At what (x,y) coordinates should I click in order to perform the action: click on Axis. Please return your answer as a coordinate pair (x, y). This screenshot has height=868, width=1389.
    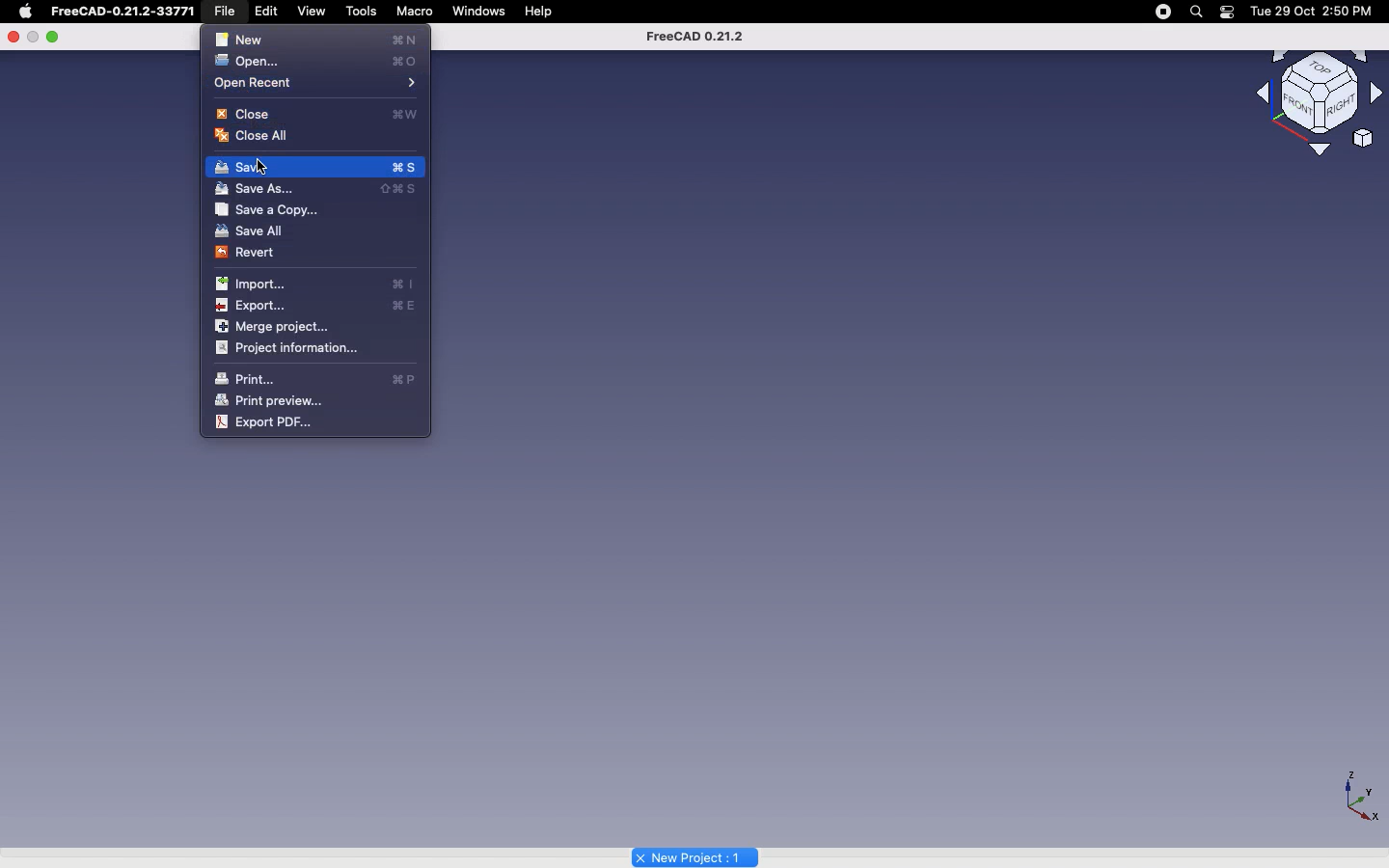
    Looking at the image, I should click on (1362, 797).